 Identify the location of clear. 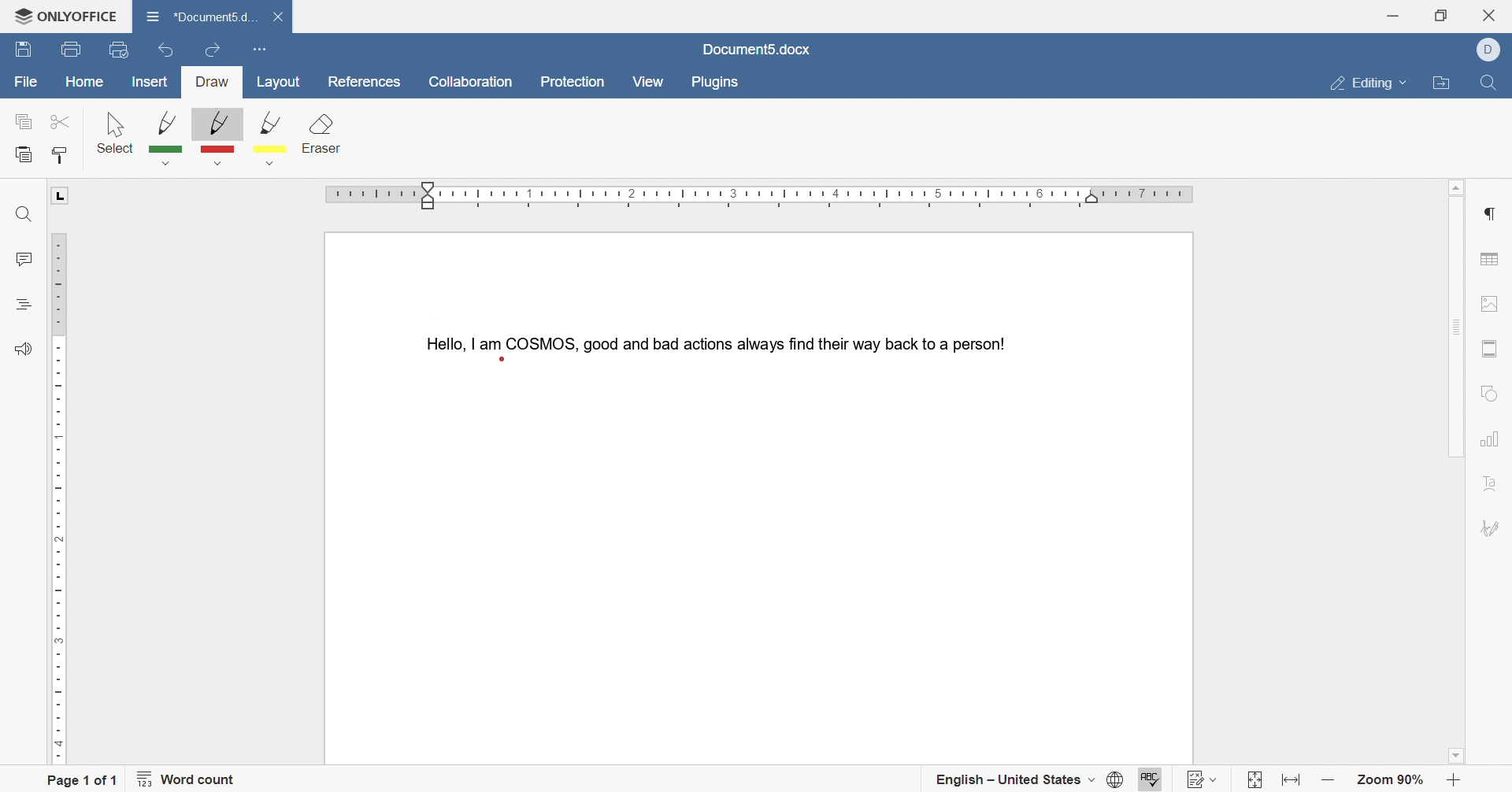
(320, 130).